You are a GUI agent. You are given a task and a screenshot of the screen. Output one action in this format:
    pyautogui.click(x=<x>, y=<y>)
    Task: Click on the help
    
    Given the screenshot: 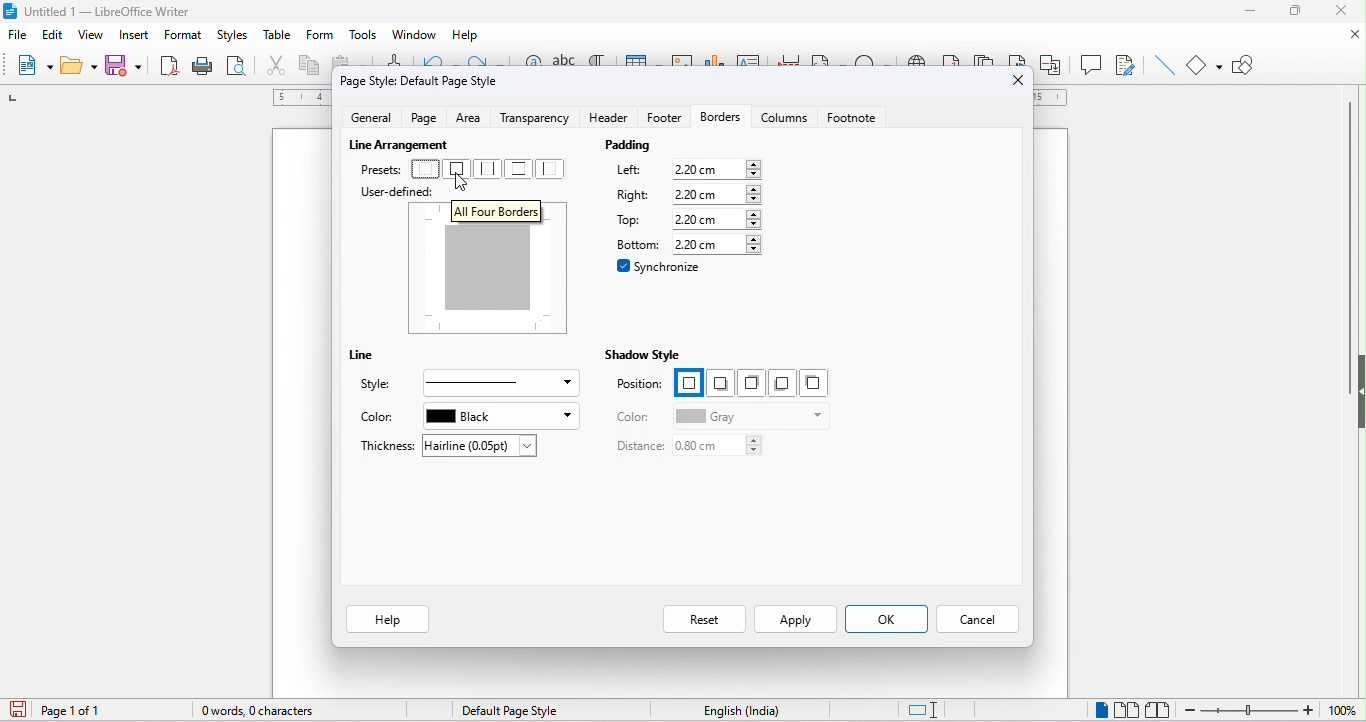 What is the action you would take?
    pyautogui.click(x=387, y=618)
    